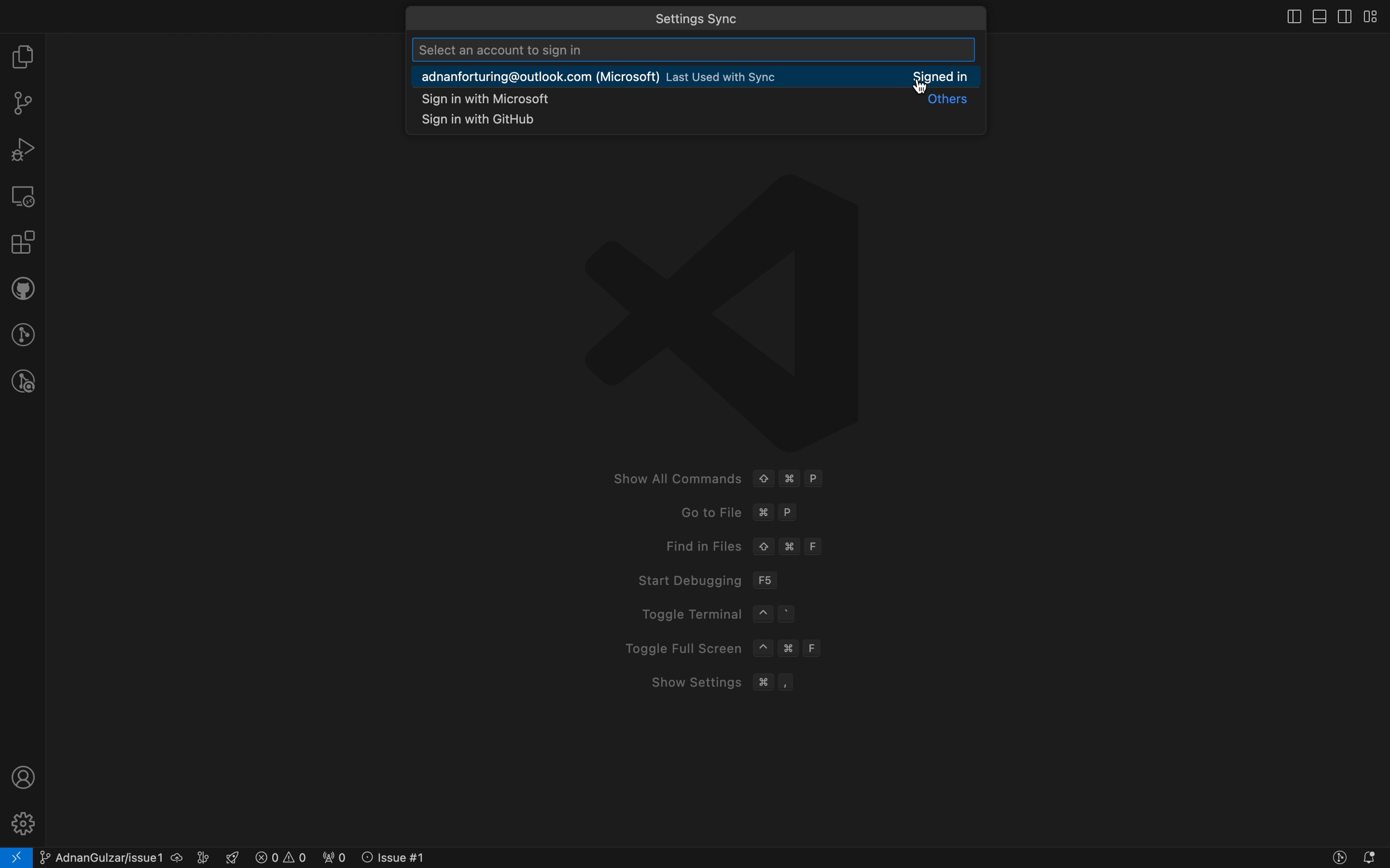 This screenshot has height=868, width=1390. Describe the element at coordinates (333, 857) in the screenshot. I see `error logs` at that location.